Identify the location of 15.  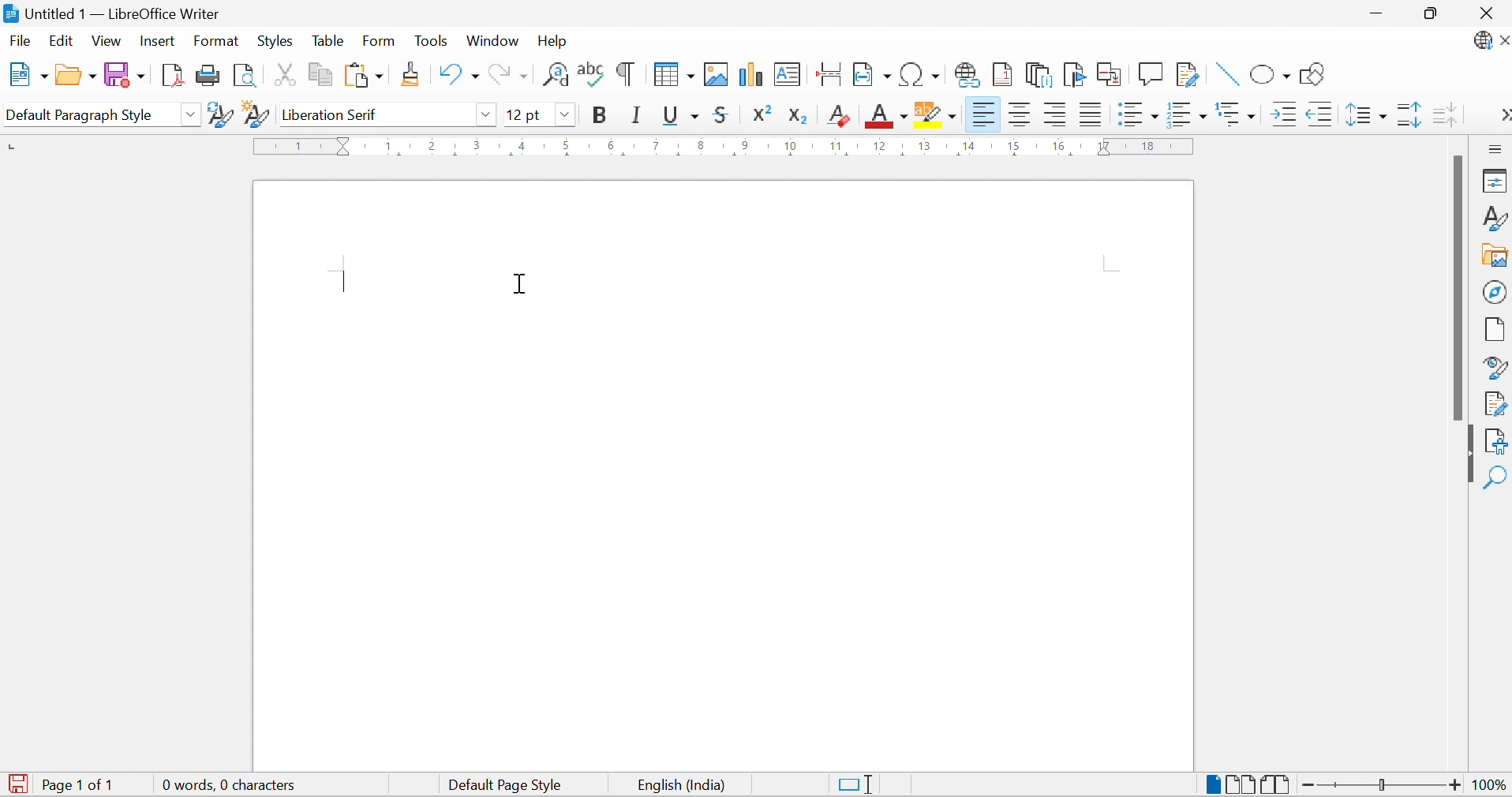
(1014, 146).